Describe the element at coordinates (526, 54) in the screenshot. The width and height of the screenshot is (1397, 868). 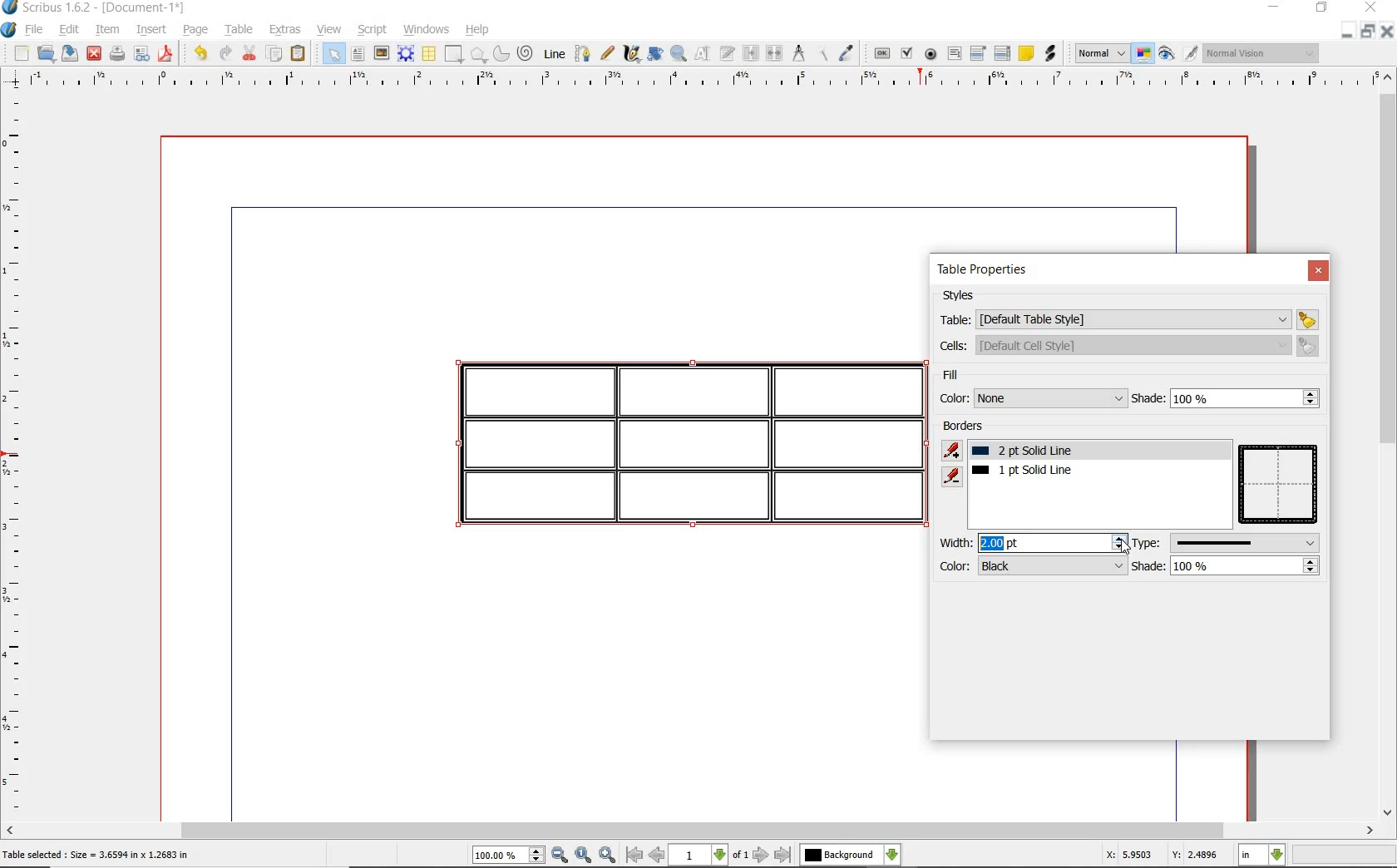
I see `spiral` at that location.